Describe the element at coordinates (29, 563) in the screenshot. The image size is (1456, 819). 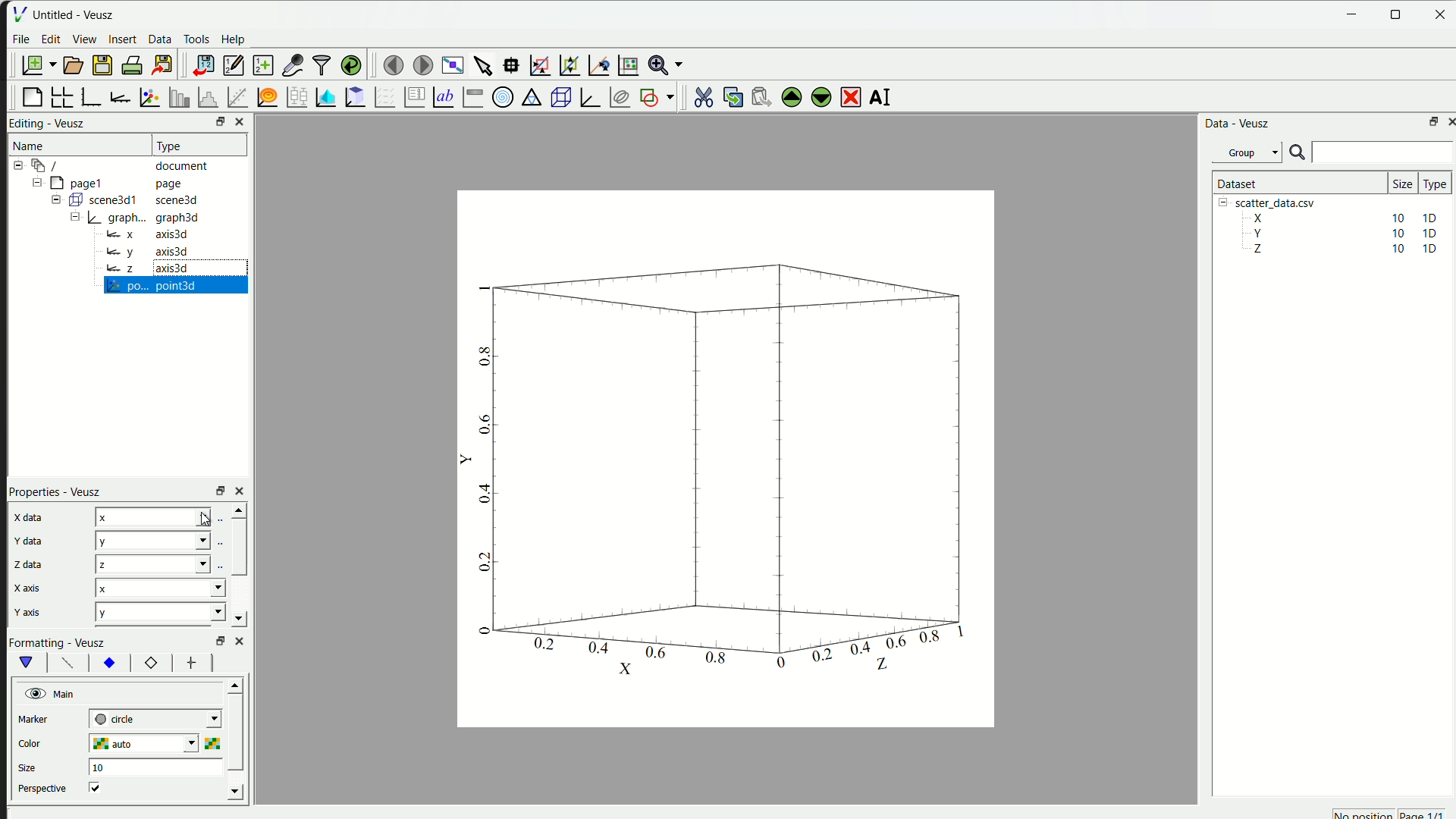
I see `z data` at that location.